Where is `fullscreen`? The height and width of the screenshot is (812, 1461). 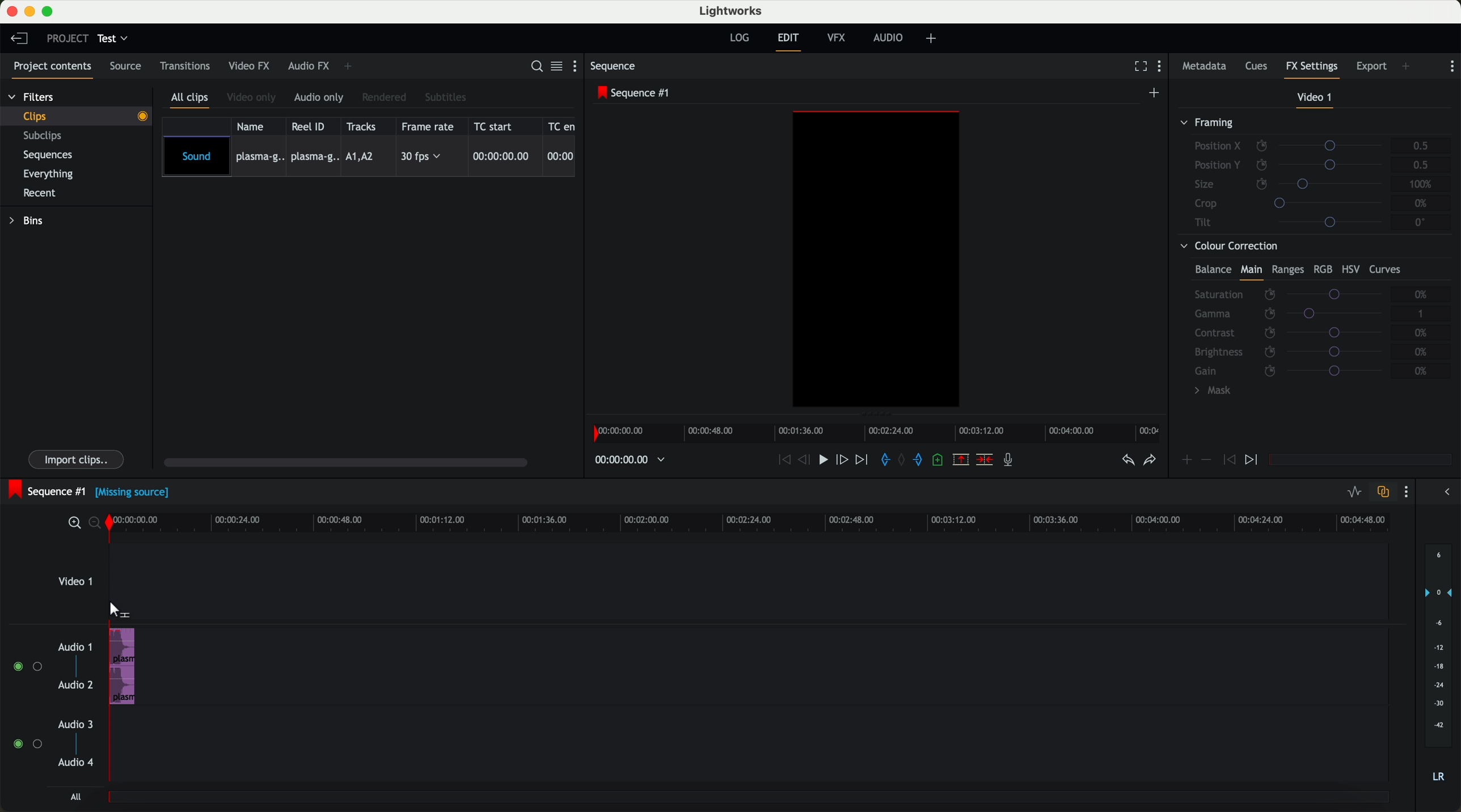
fullscreen is located at coordinates (1138, 67).